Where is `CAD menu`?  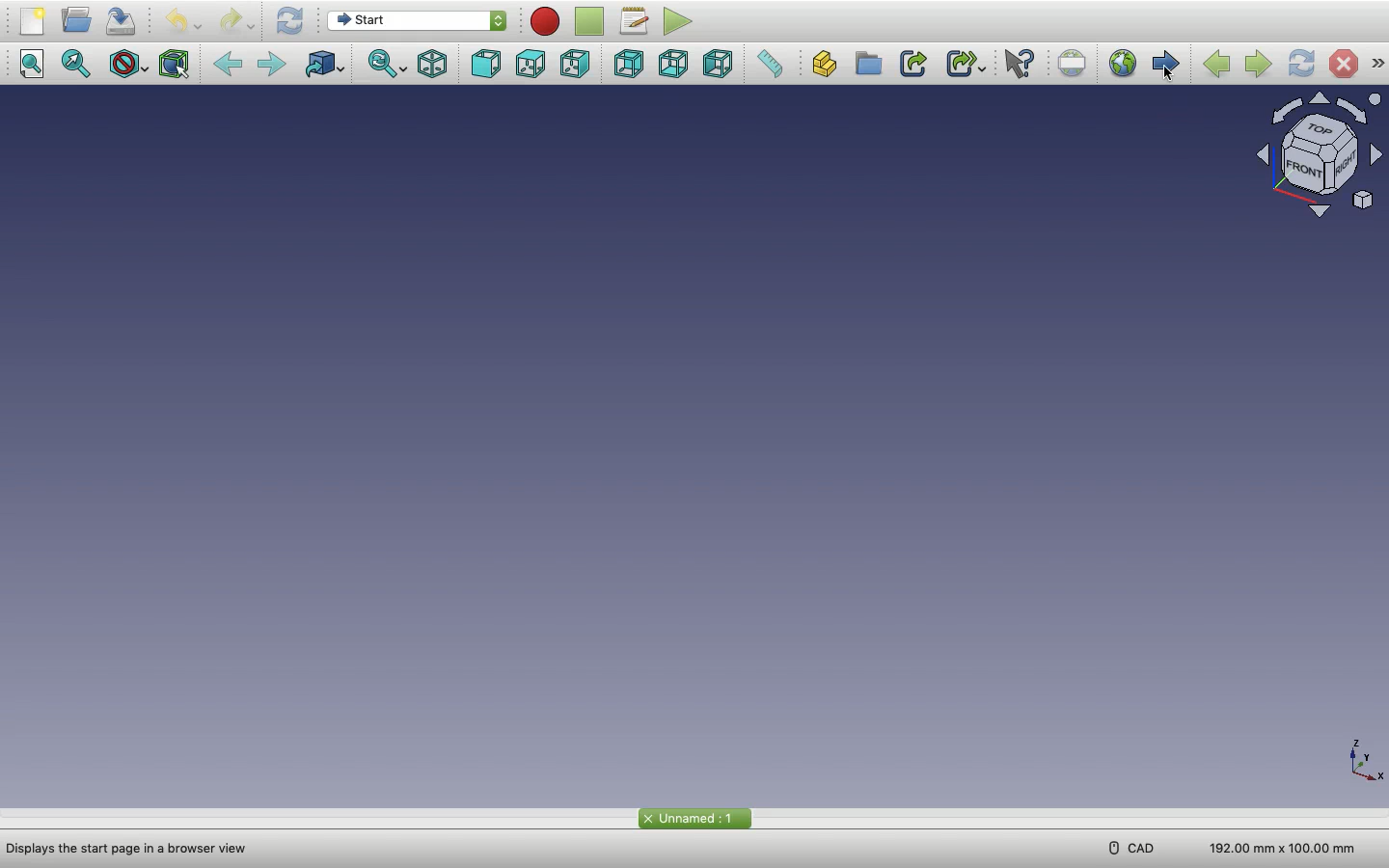
CAD menu is located at coordinates (1129, 848).